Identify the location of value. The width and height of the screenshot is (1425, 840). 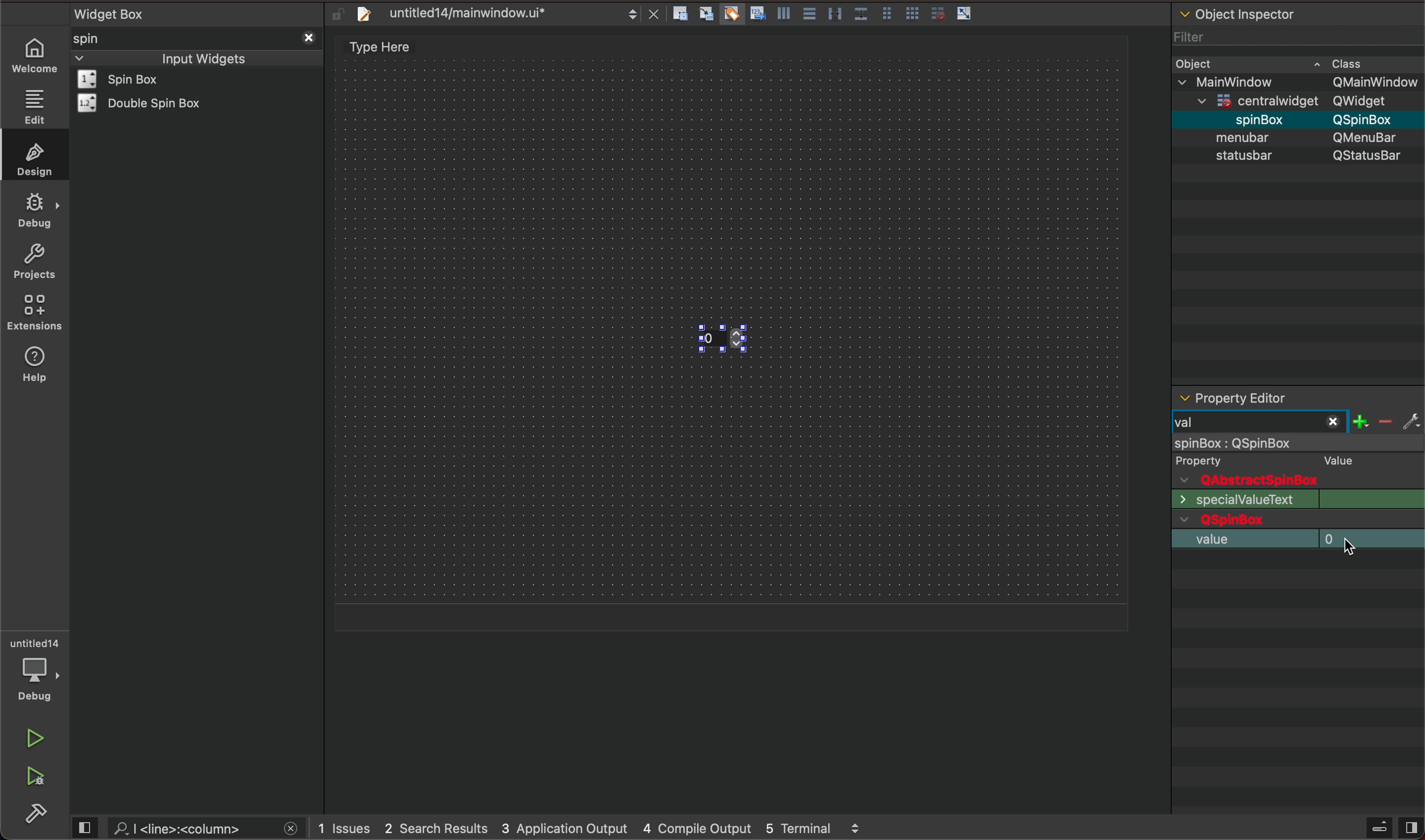
(1294, 537).